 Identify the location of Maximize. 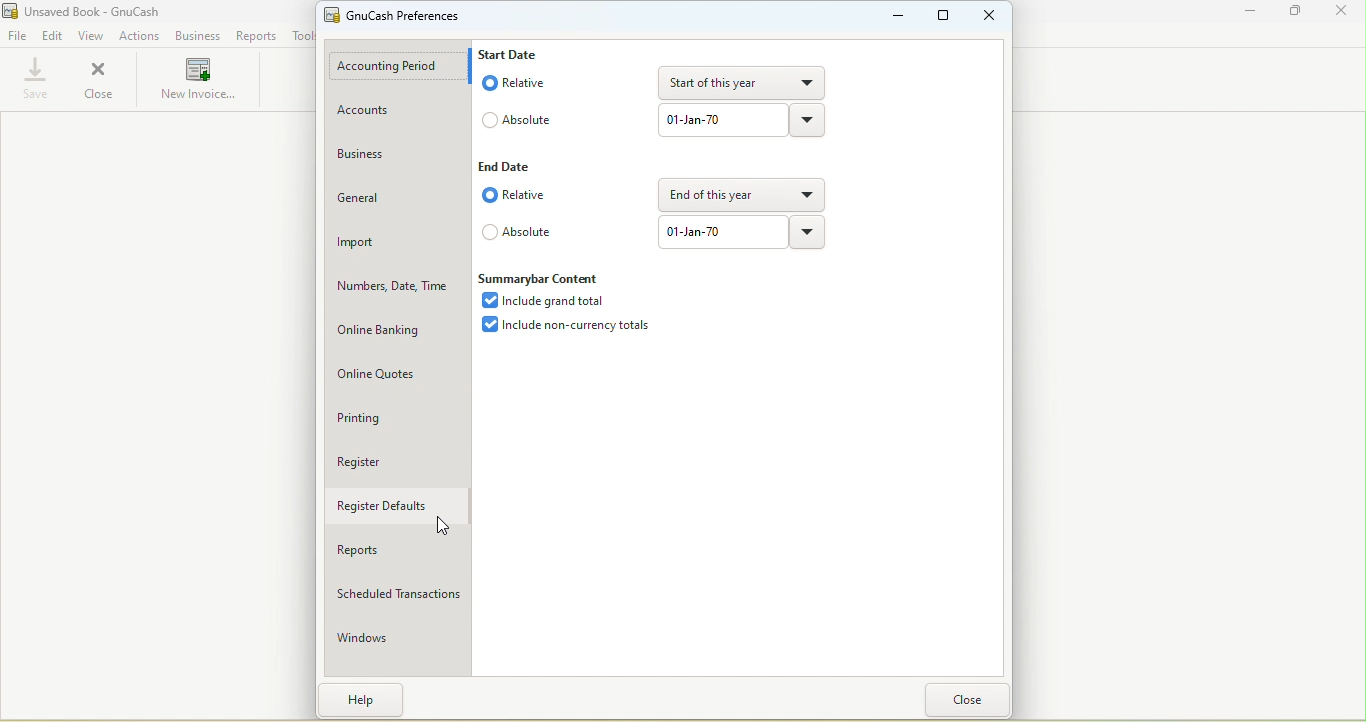
(1295, 13).